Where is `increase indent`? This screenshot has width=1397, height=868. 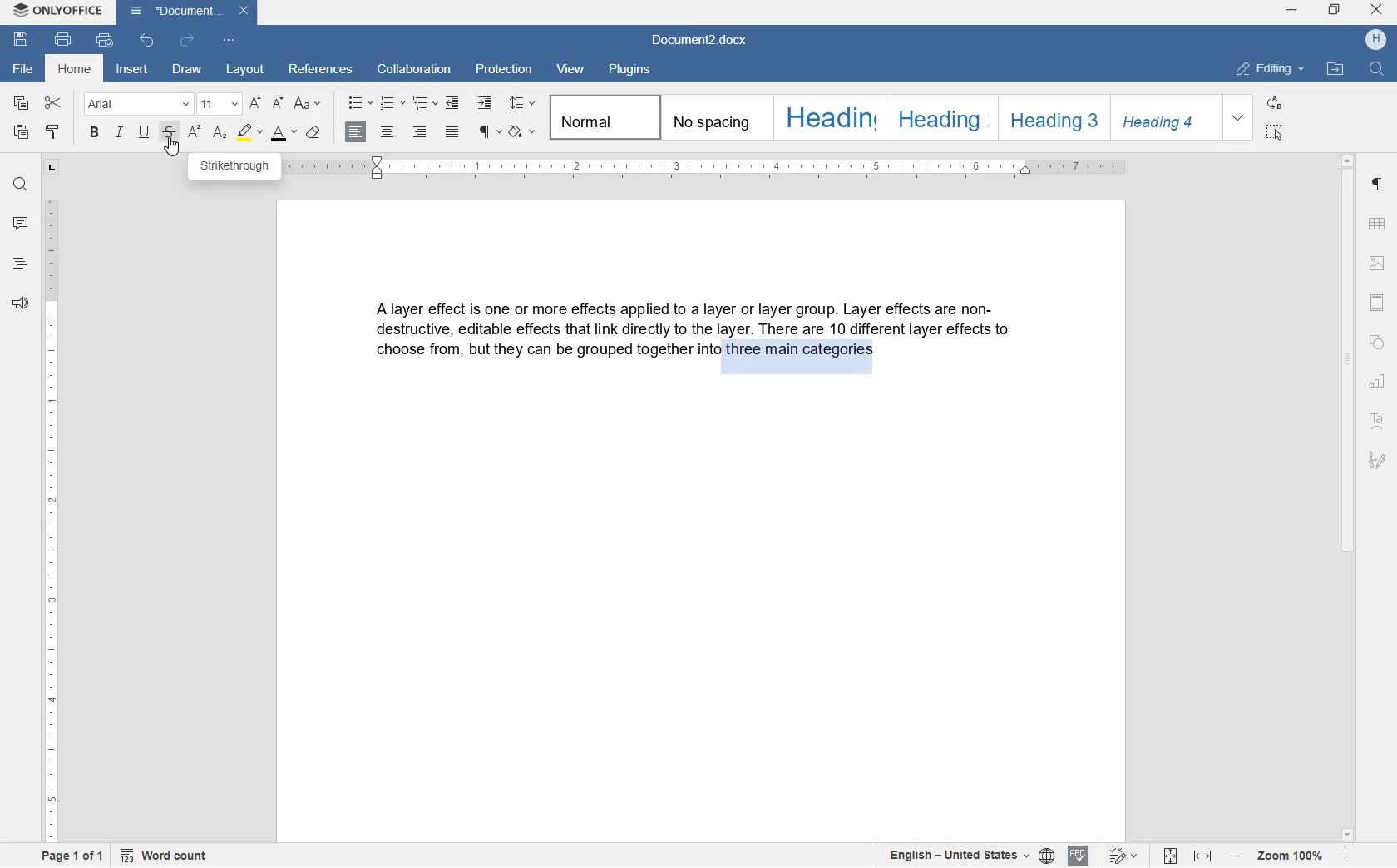
increase indent is located at coordinates (486, 101).